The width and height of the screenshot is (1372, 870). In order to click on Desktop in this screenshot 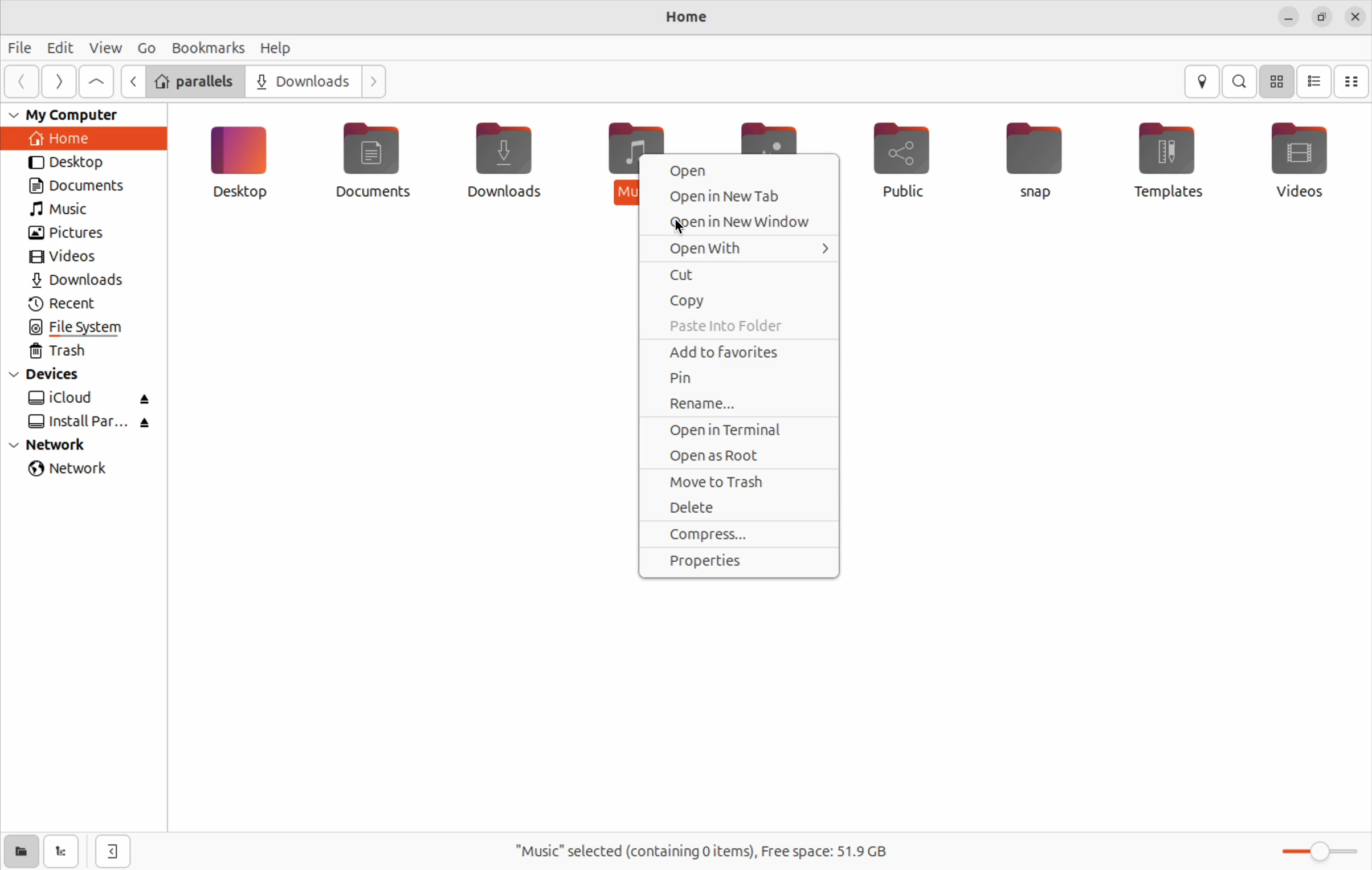, I will do `click(242, 169)`.